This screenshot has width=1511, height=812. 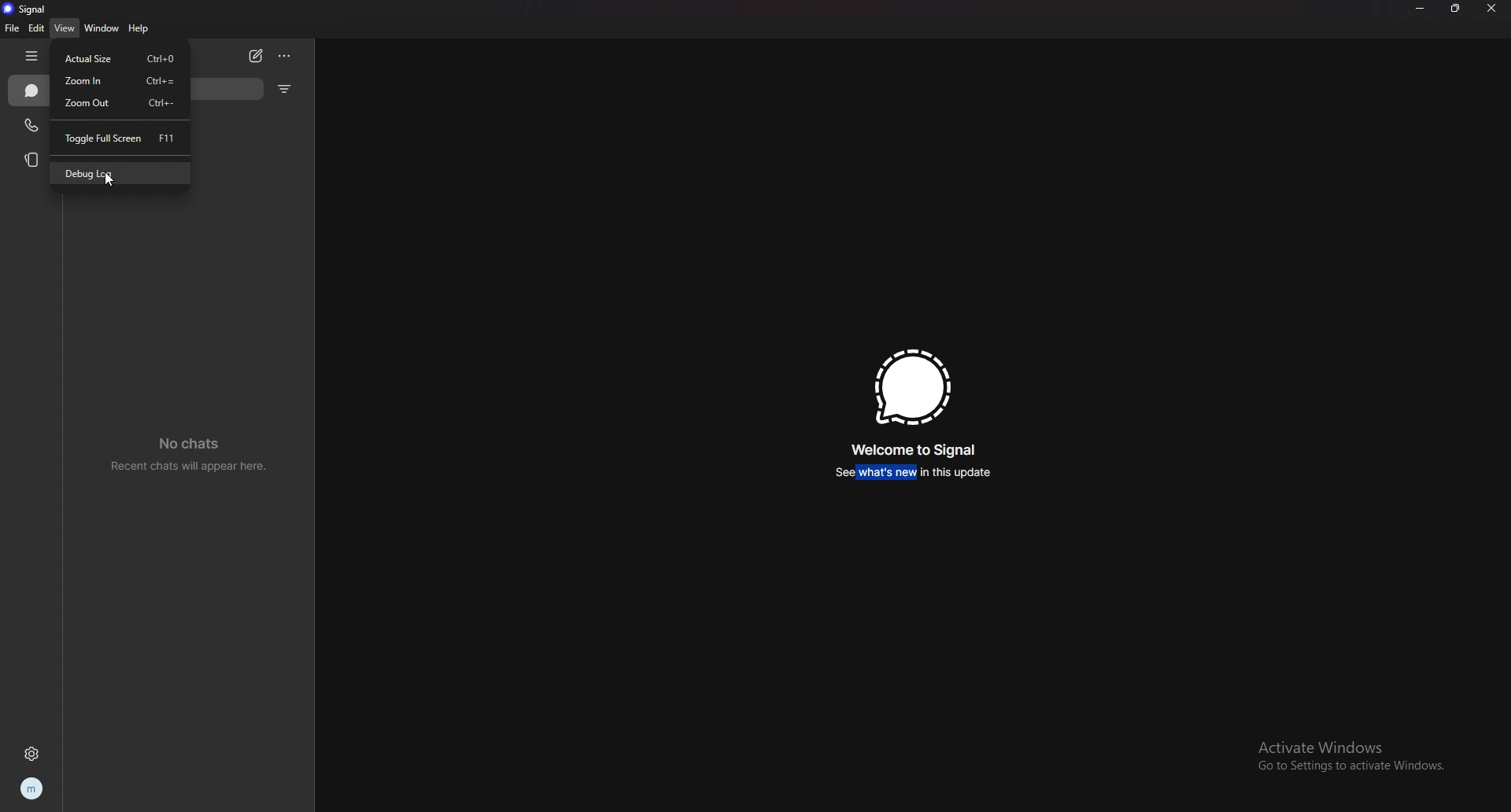 What do you see at coordinates (256, 55) in the screenshot?
I see `newchat` at bounding box center [256, 55].